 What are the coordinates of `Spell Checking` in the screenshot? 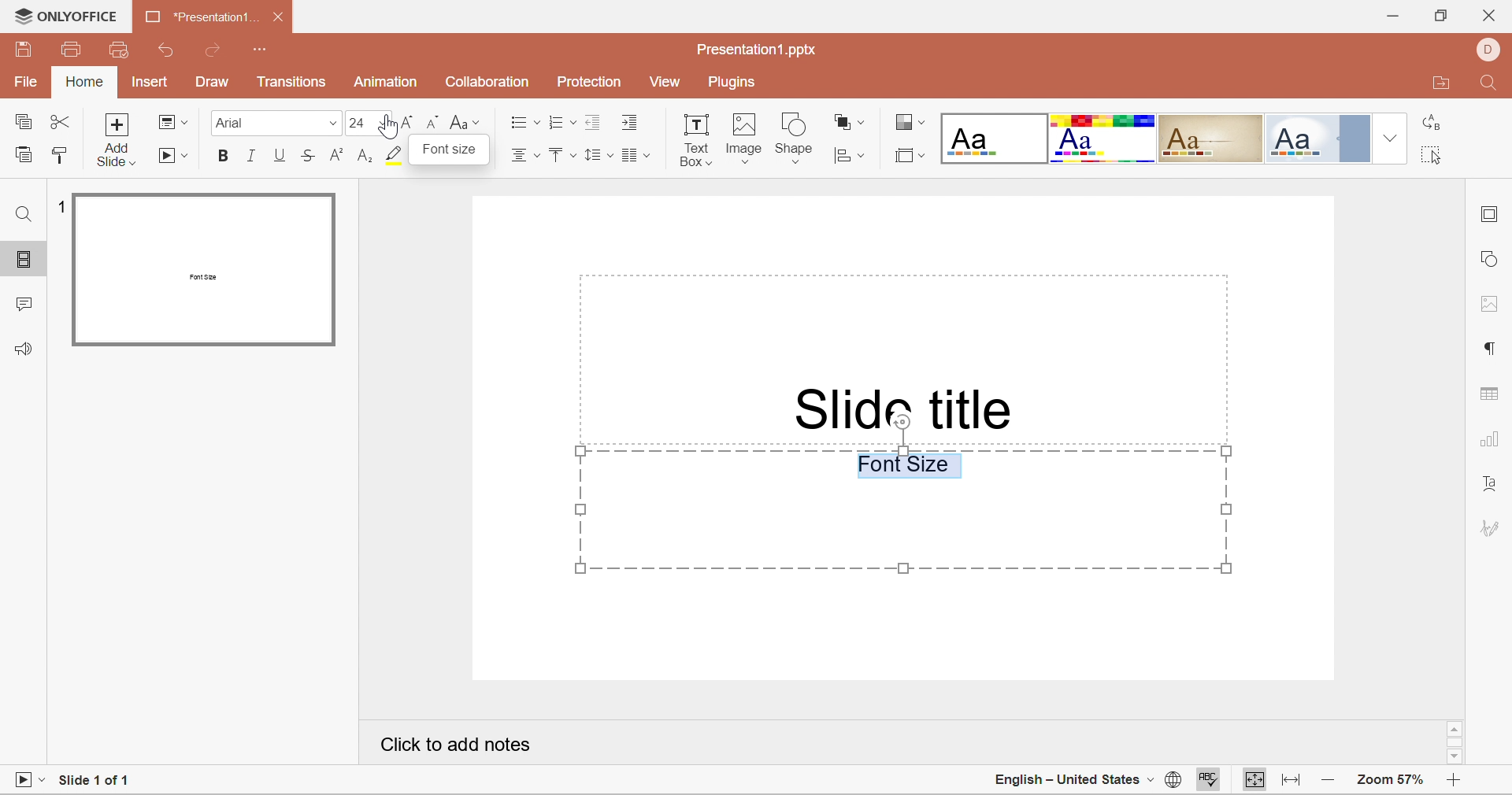 It's located at (1210, 781).